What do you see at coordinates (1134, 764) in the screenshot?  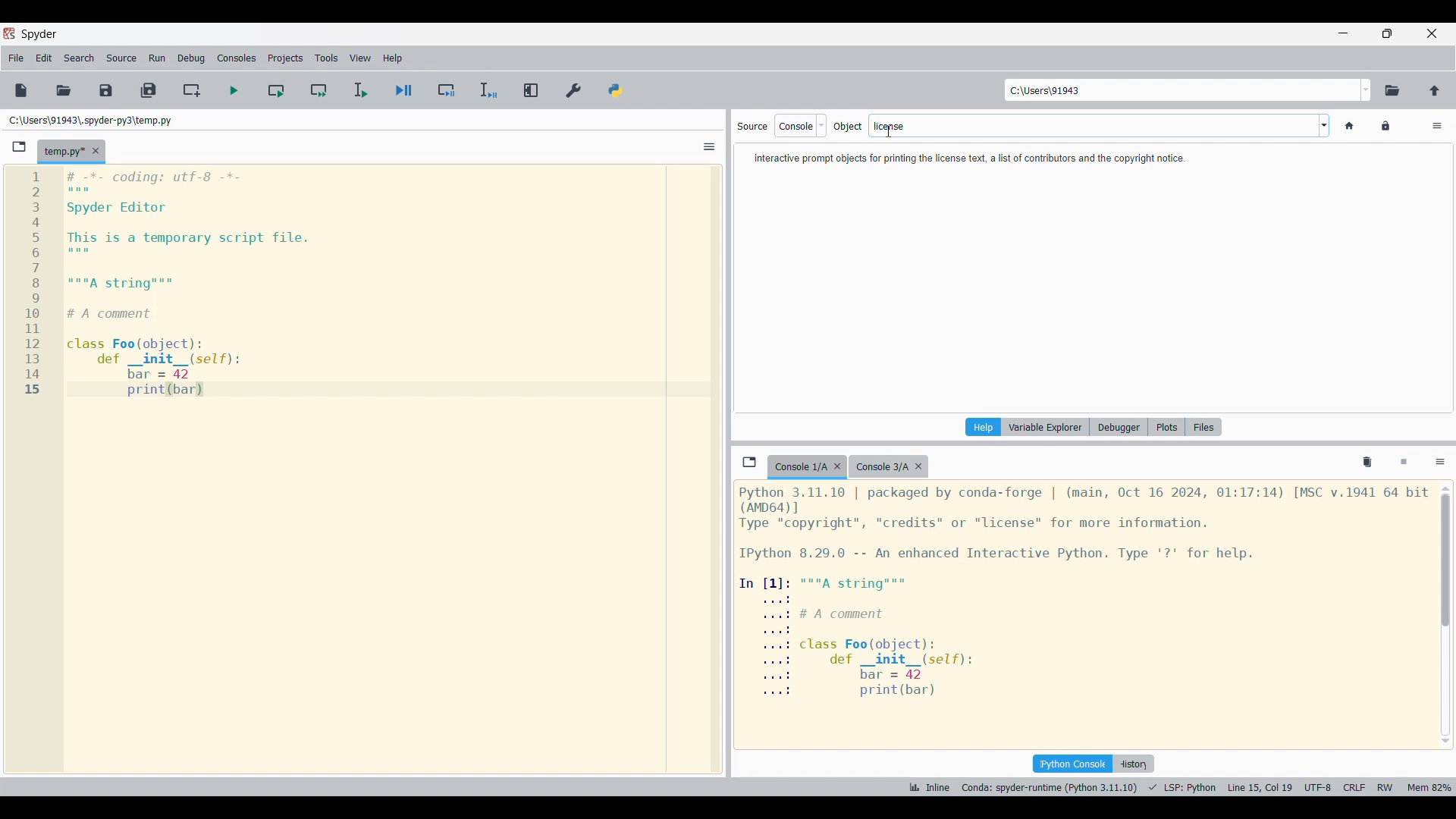 I see `History` at bounding box center [1134, 764].